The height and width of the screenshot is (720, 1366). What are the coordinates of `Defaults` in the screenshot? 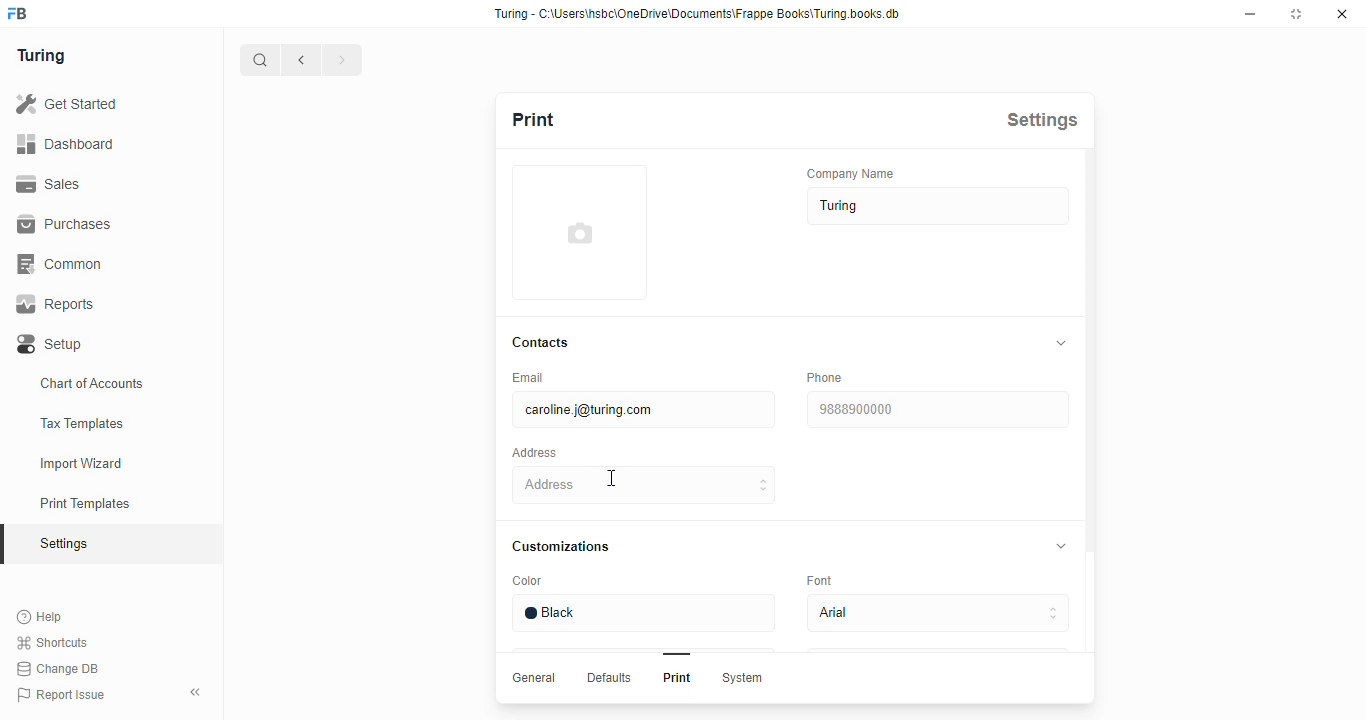 It's located at (611, 678).